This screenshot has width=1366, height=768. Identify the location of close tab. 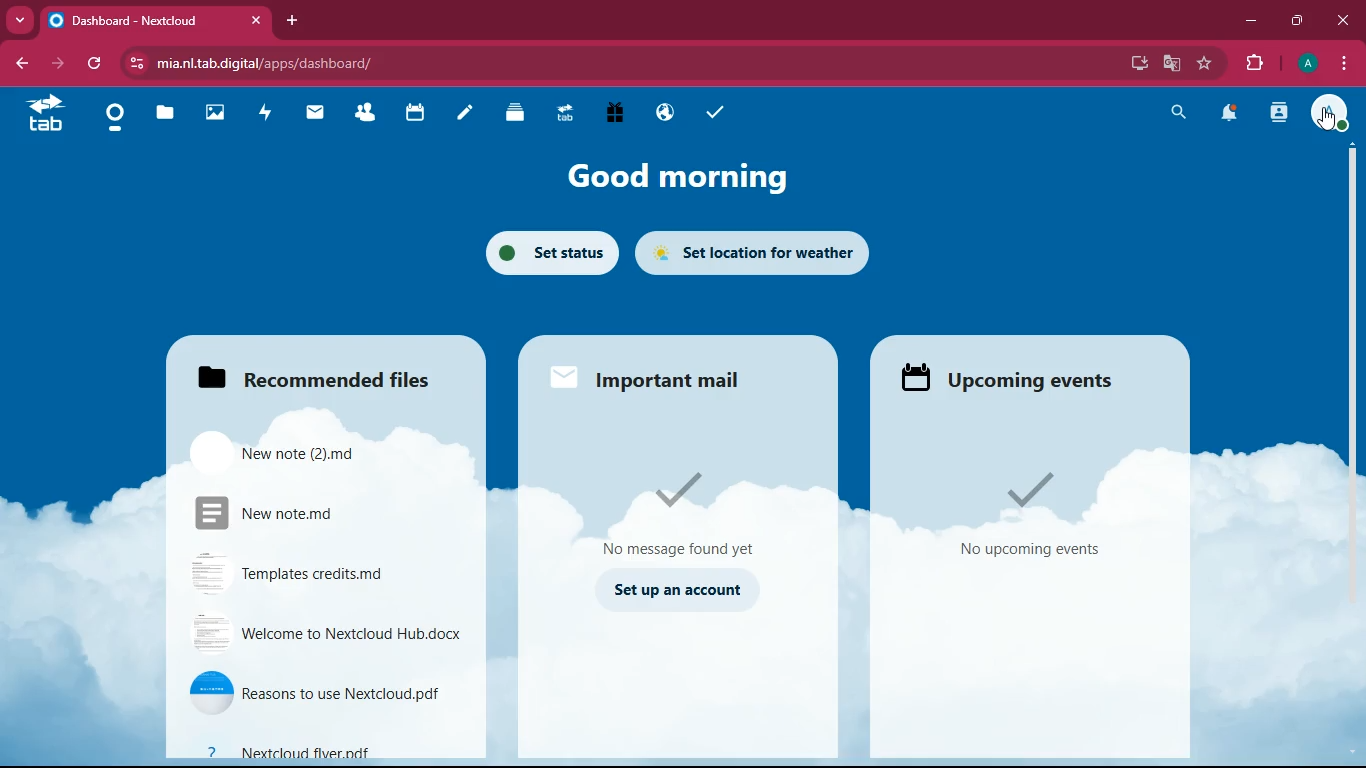
(258, 21).